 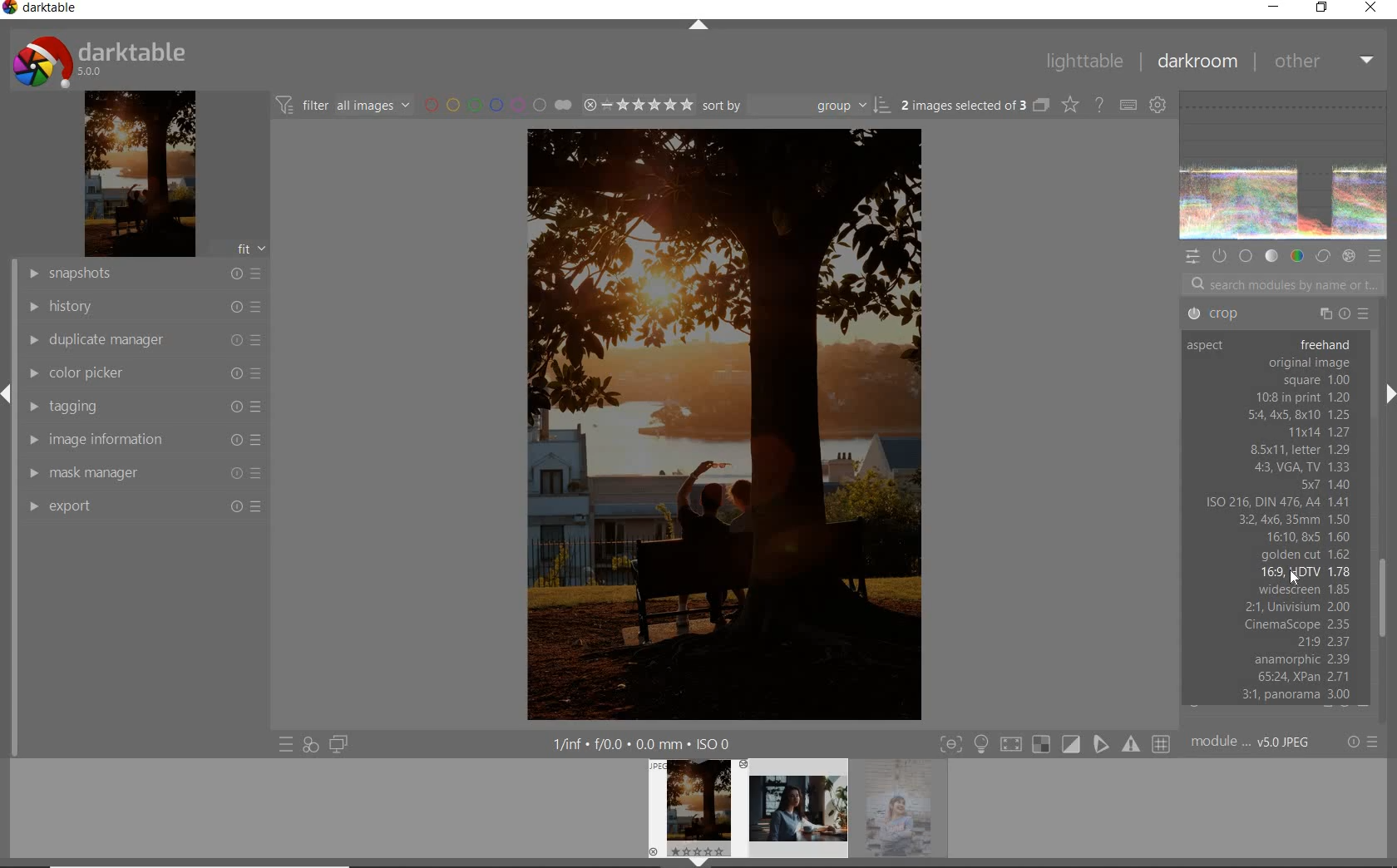 I want to click on ASPECT, so click(x=1208, y=346).